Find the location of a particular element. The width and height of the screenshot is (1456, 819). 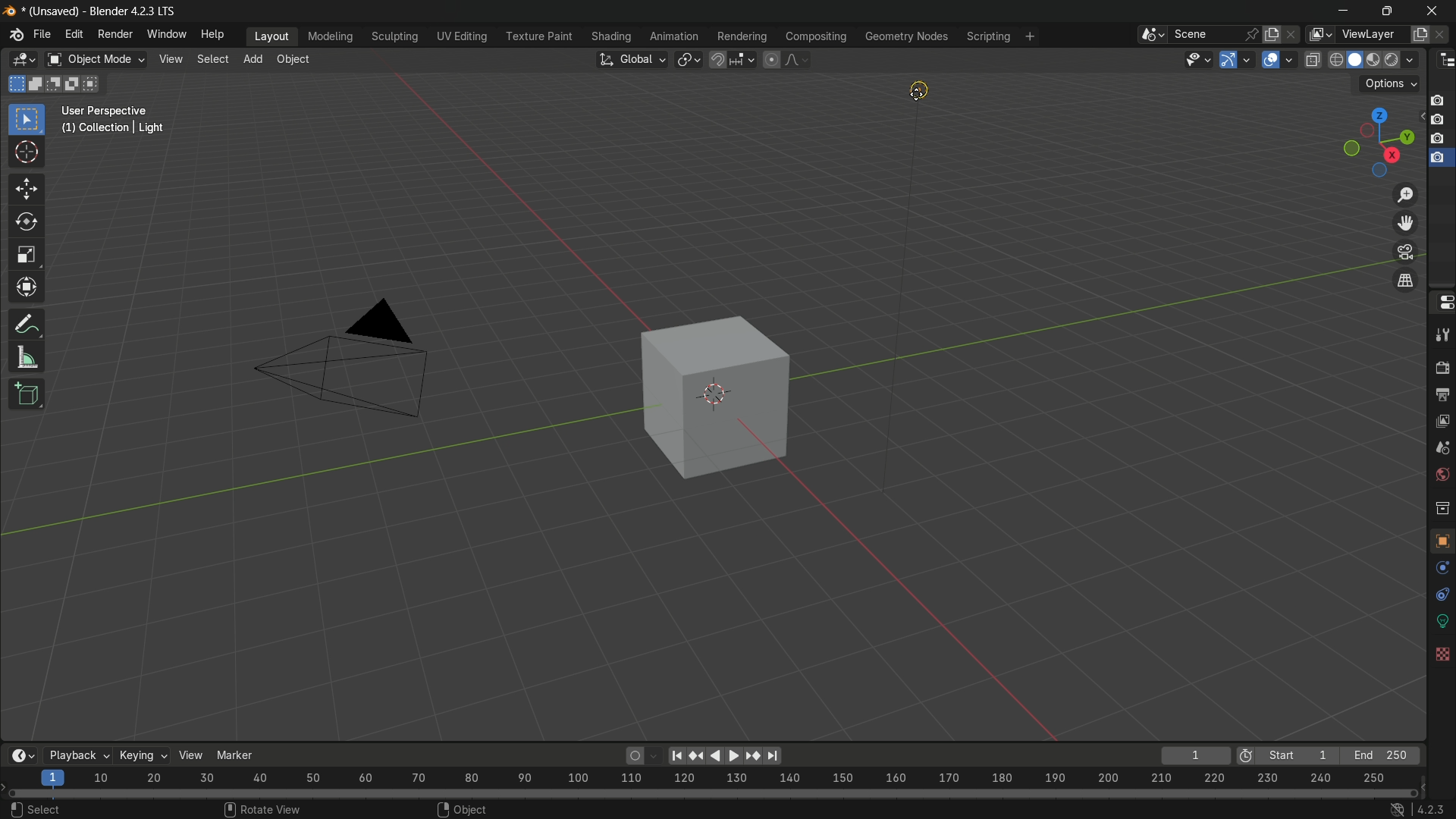

object is located at coordinates (293, 60).